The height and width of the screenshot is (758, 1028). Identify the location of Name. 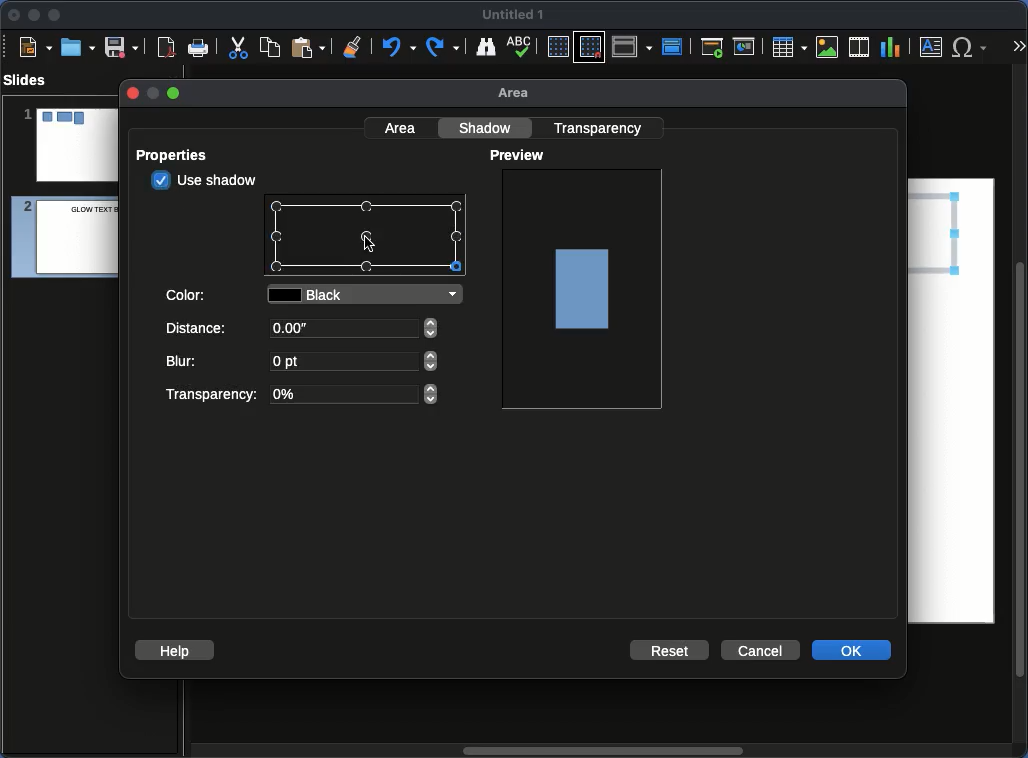
(514, 15).